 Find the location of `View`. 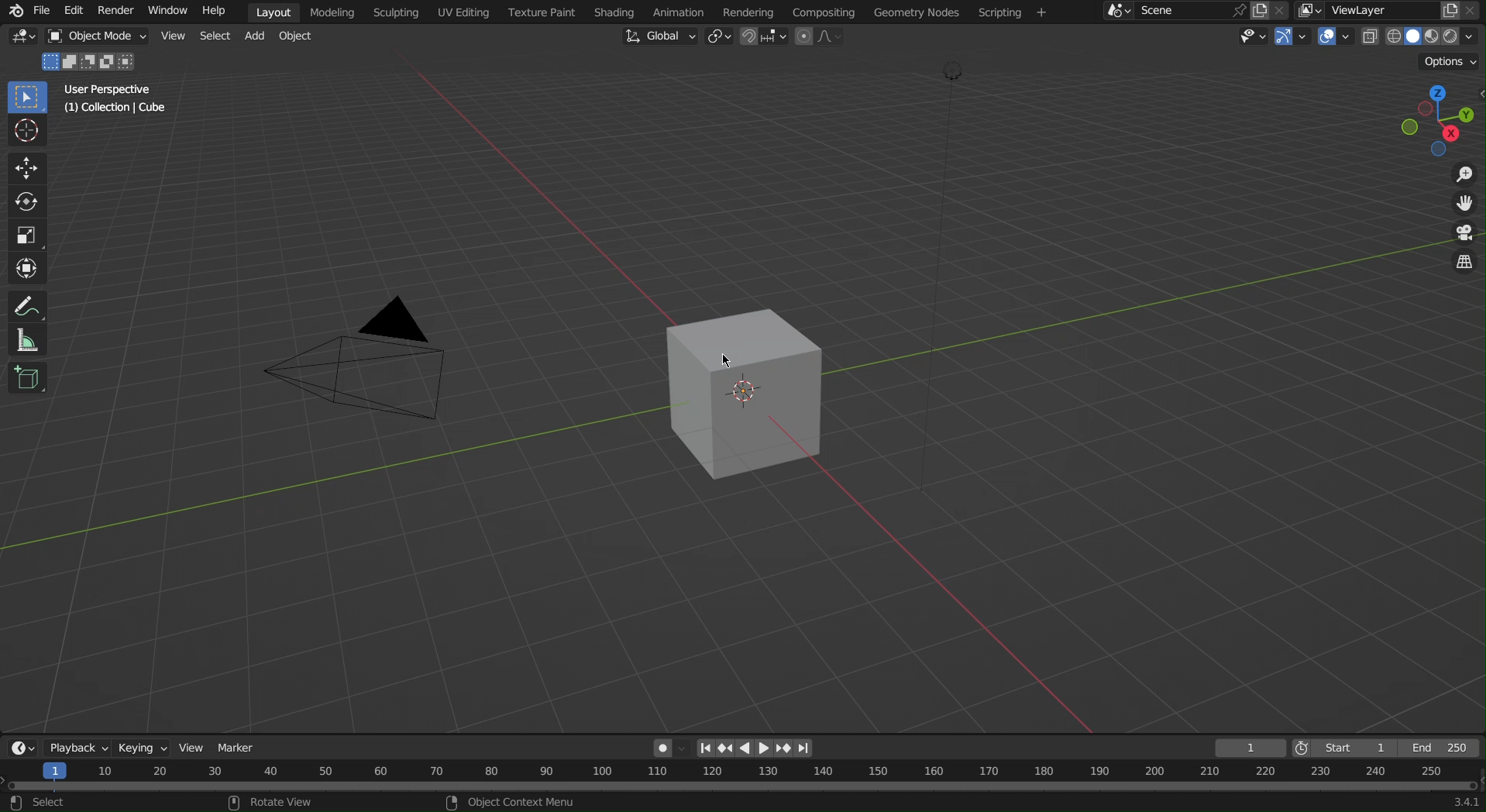

View is located at coordinates (172, 38).